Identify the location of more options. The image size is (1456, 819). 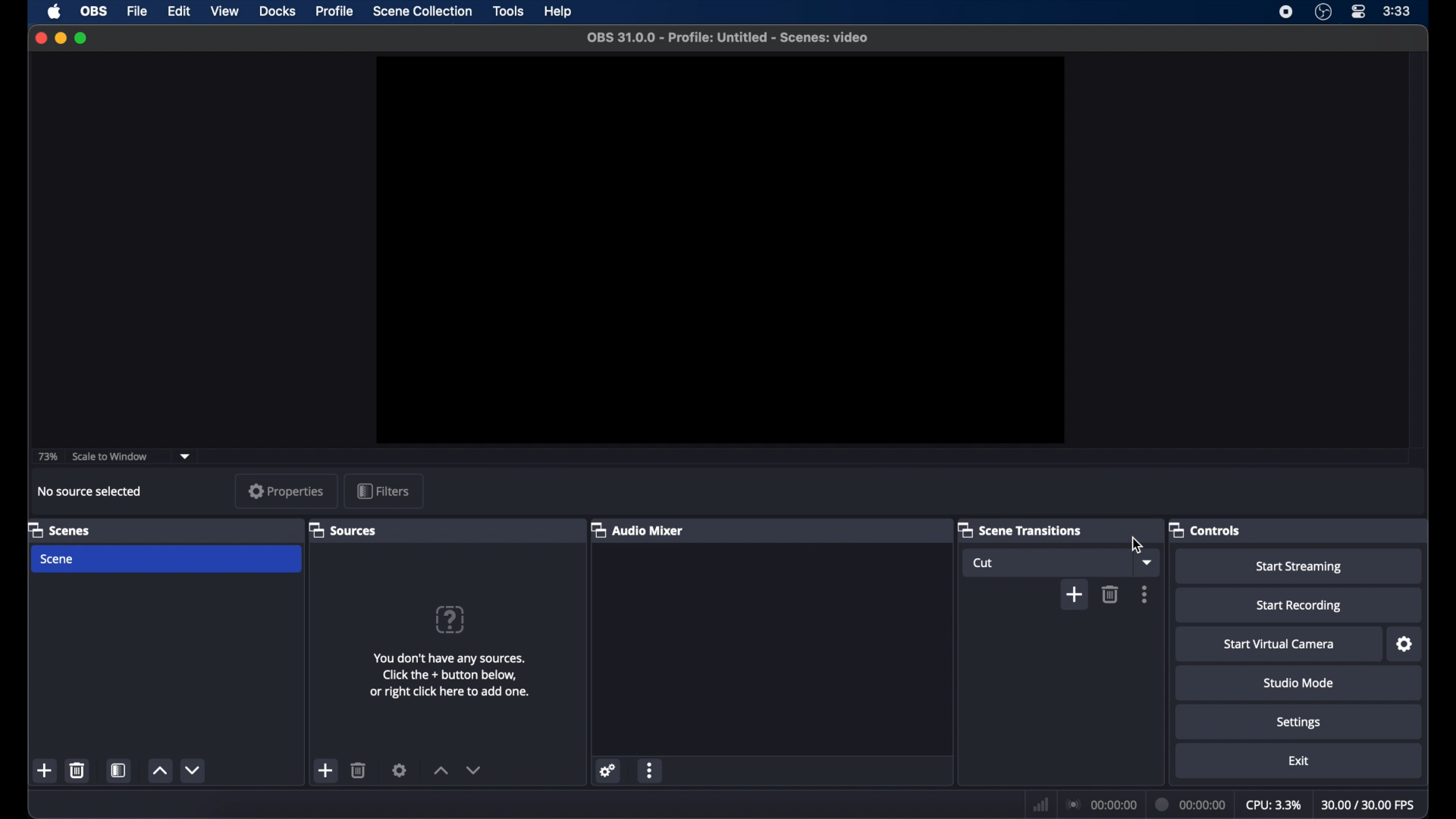
(1146, 594).